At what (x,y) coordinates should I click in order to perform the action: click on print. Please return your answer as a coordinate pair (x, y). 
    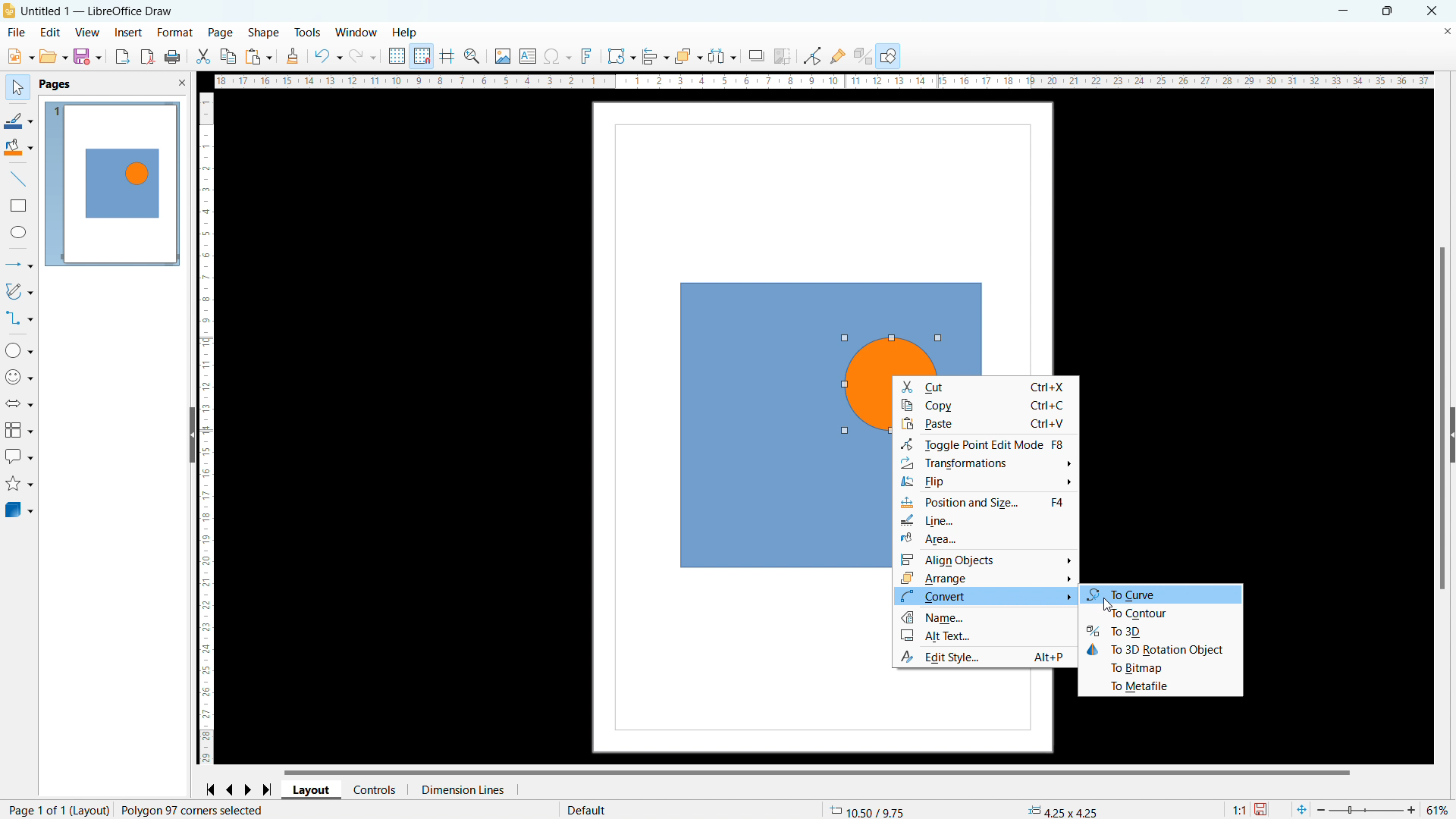
    Looking at the image, I should click on (172, 56).